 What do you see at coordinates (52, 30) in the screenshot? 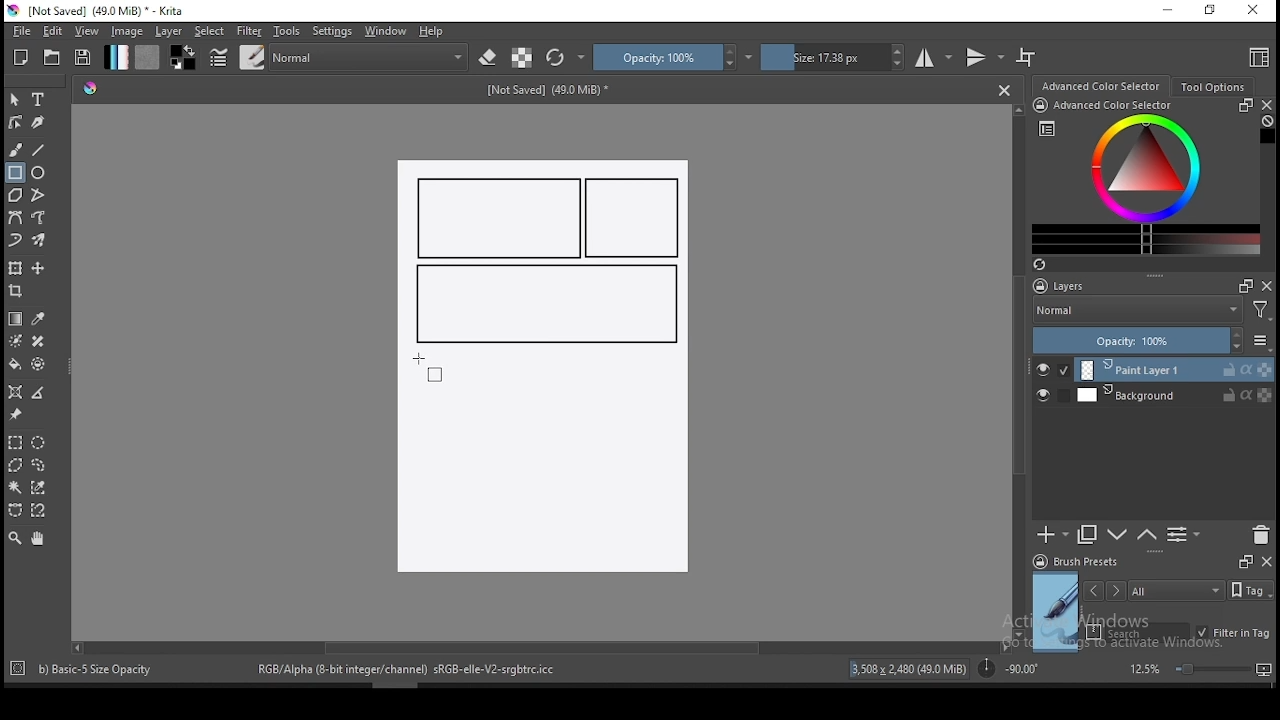
I see `edit` at bounding box center [52, 30].